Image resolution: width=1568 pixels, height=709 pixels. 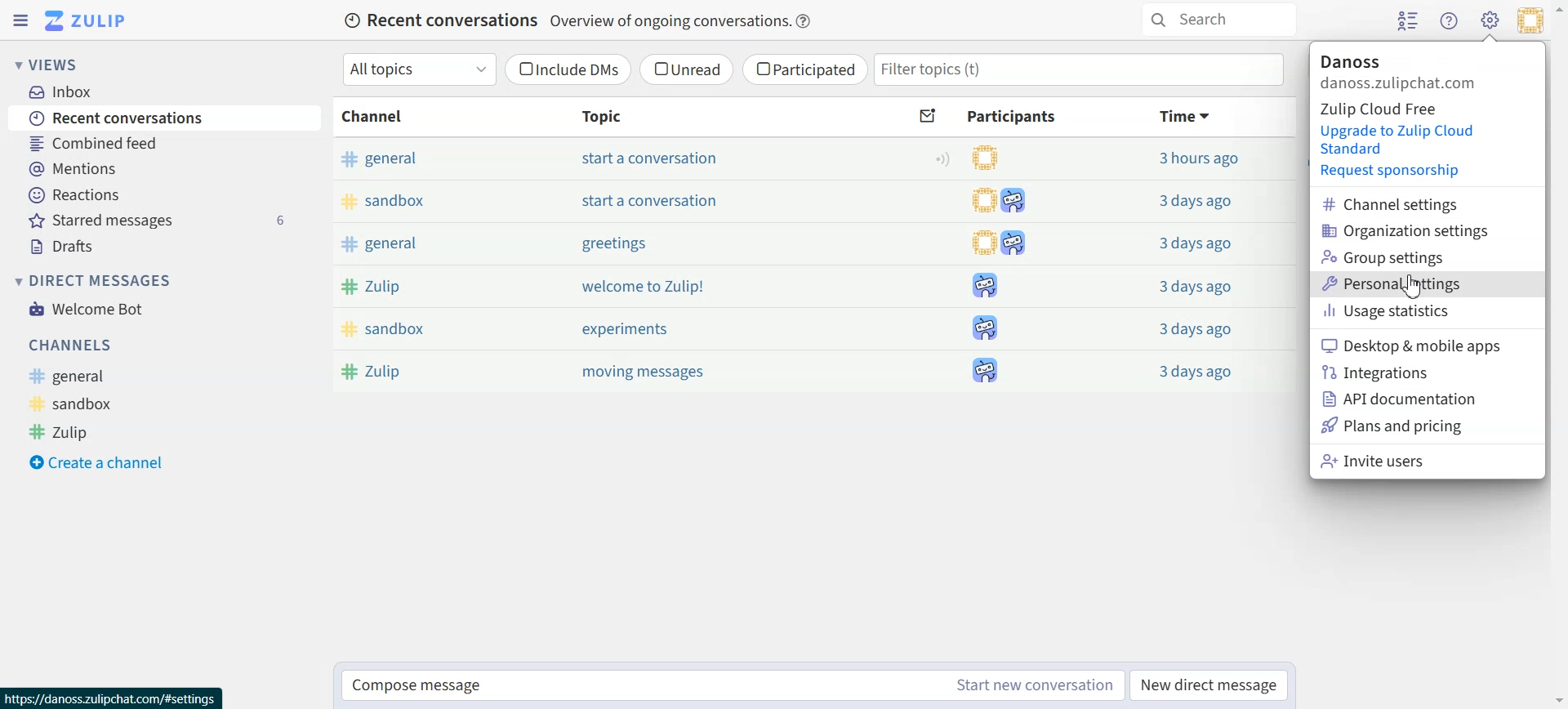 What do you see at coordinates (1428, 344) in the screenshot?
I see `Desktop & mobile apps` at bounding box center [1428, 344].